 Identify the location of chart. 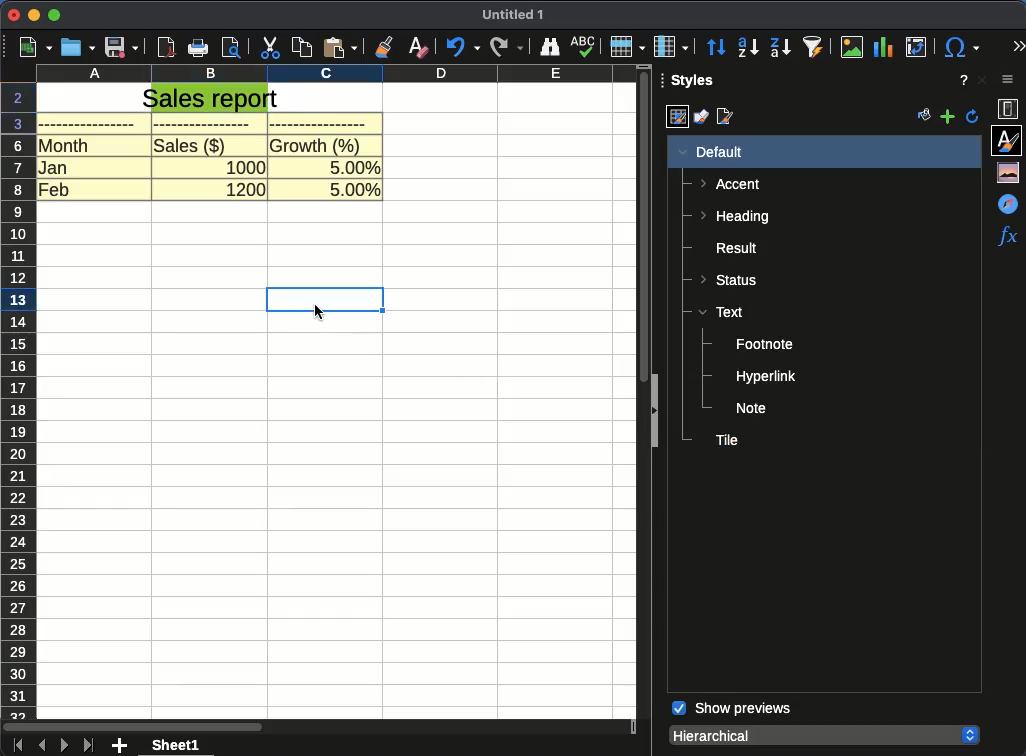
(885, 48).